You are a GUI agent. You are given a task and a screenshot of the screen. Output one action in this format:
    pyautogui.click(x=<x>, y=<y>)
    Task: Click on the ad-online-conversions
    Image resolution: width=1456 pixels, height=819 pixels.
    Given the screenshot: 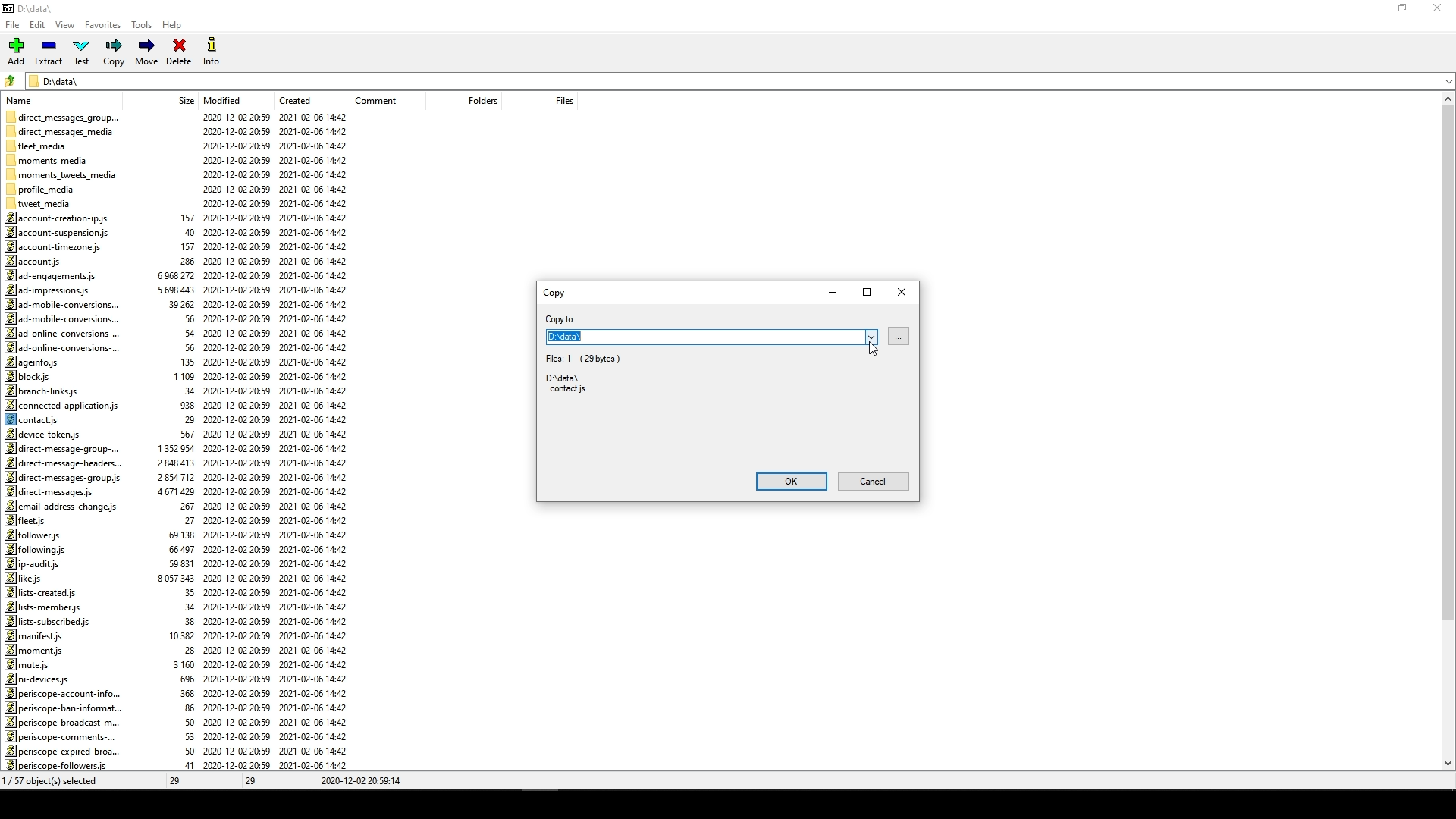 What is the action you would take?
    pyautogui.click(x=61, y=347)
    